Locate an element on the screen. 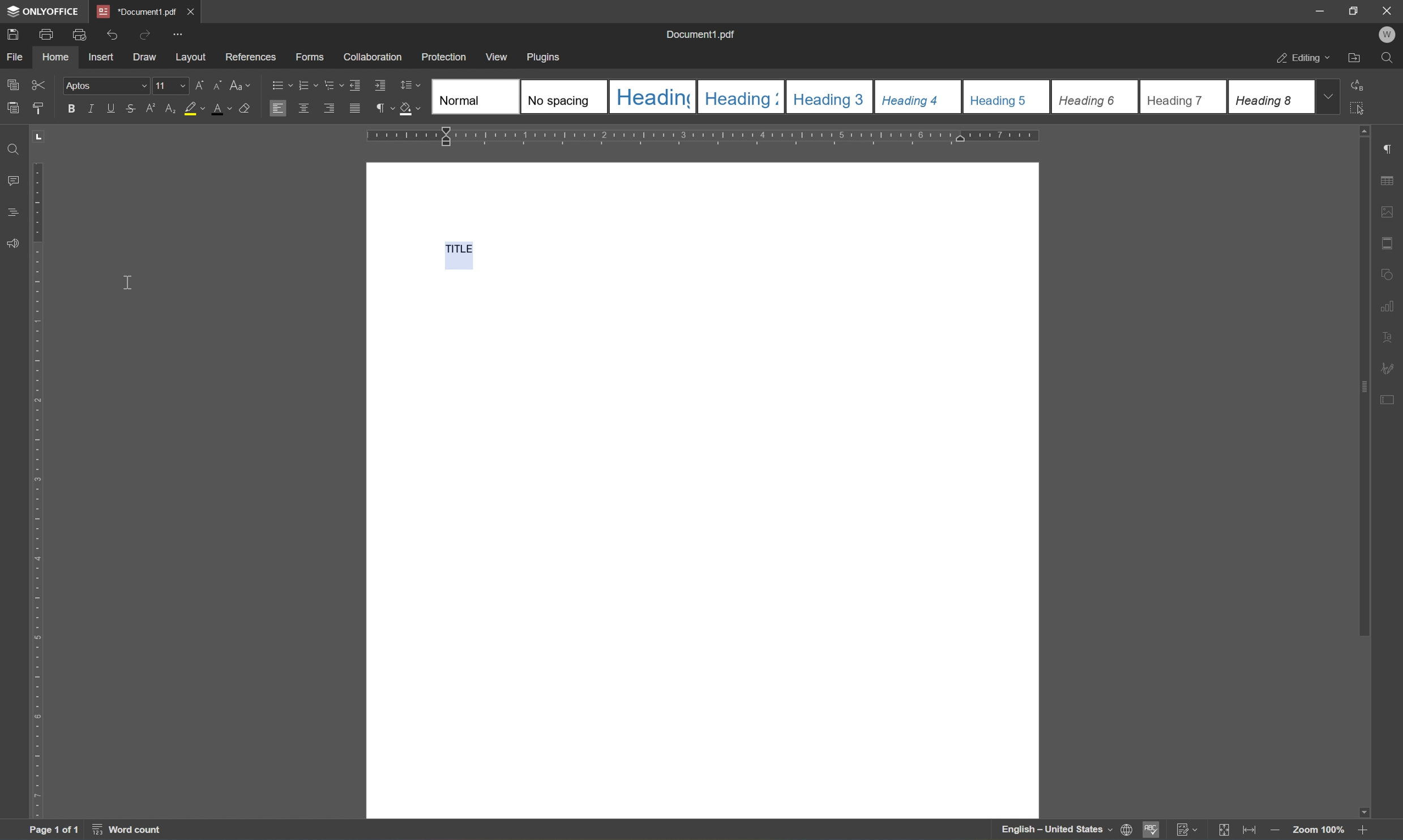 The height and width of the screenshot is (840, 1403). Type of headings is located at coordinates (872, 97).